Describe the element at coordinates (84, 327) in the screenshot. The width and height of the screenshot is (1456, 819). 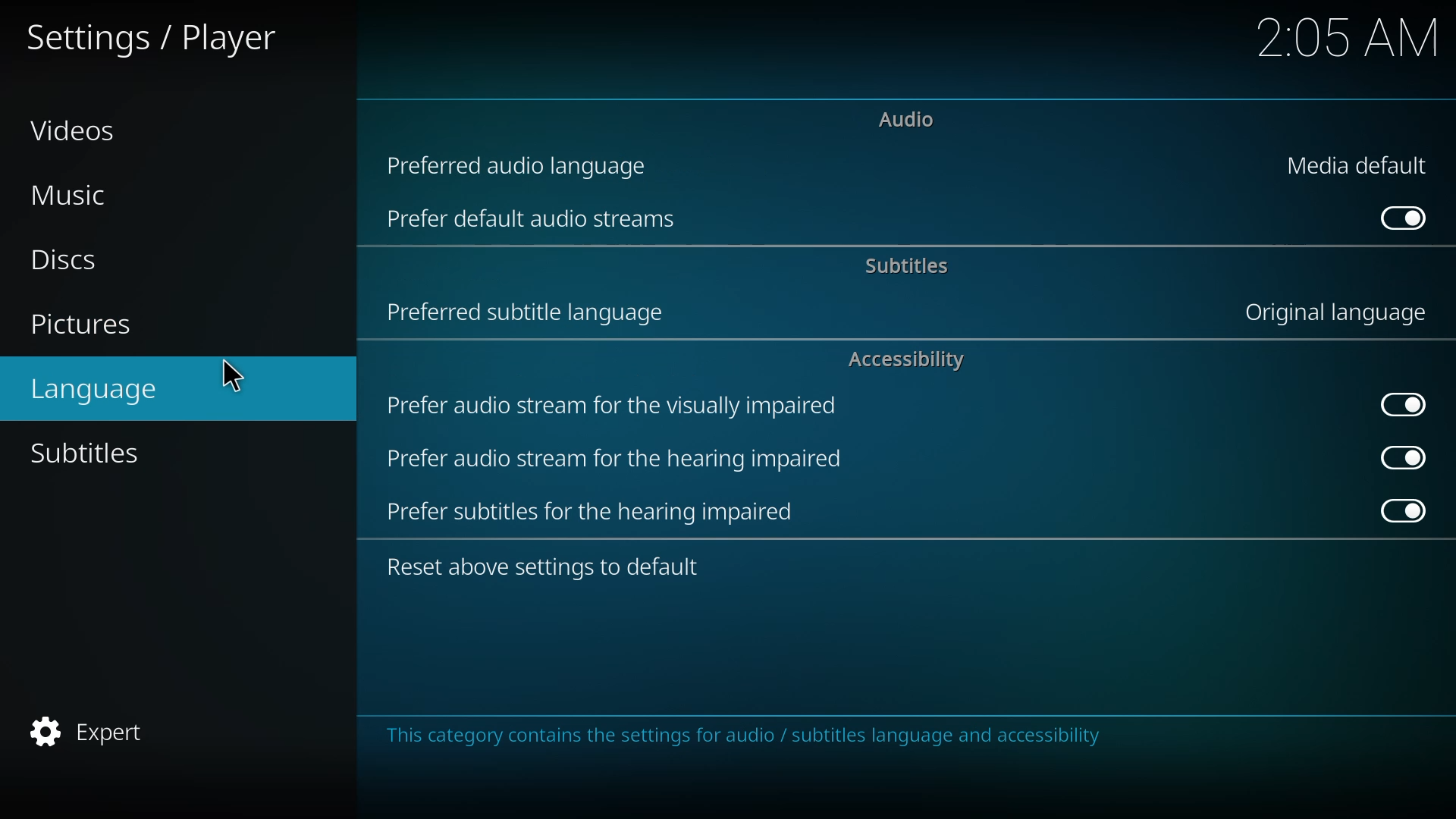
I see `pictures` at that location.